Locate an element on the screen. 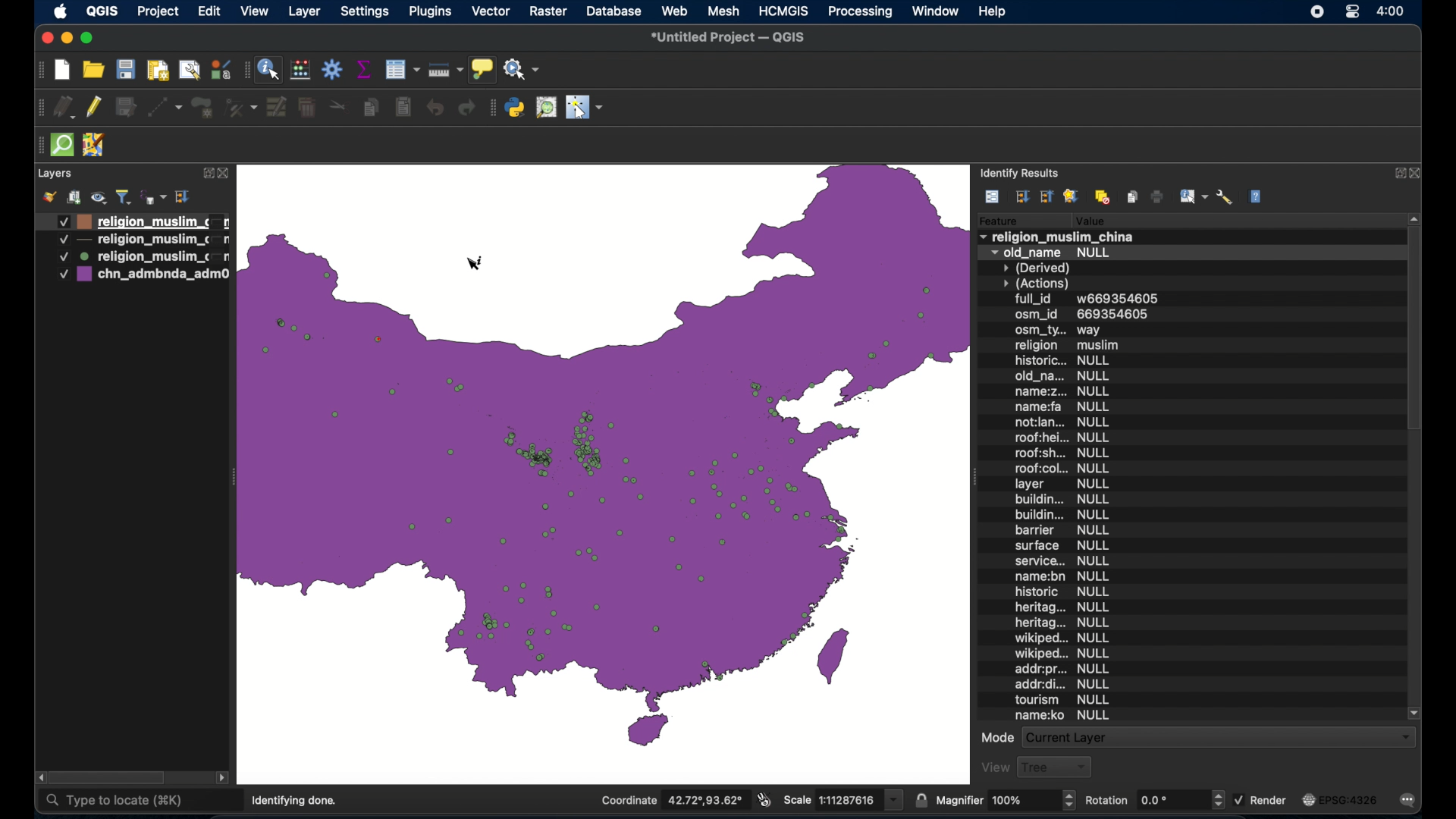  roof is located at coordinates (1061, 453).